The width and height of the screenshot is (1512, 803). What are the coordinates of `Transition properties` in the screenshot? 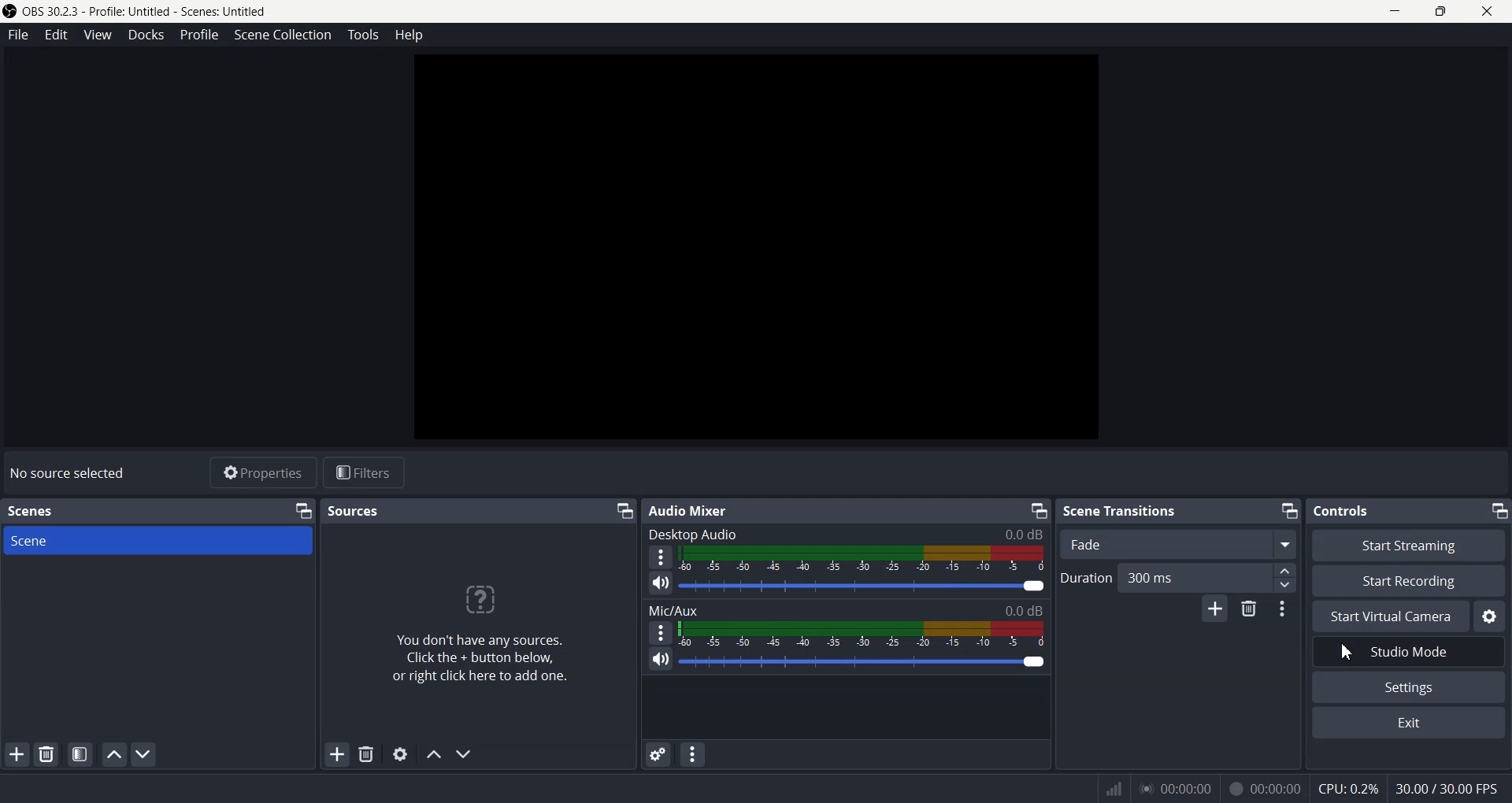 It's located at (1284, 609).